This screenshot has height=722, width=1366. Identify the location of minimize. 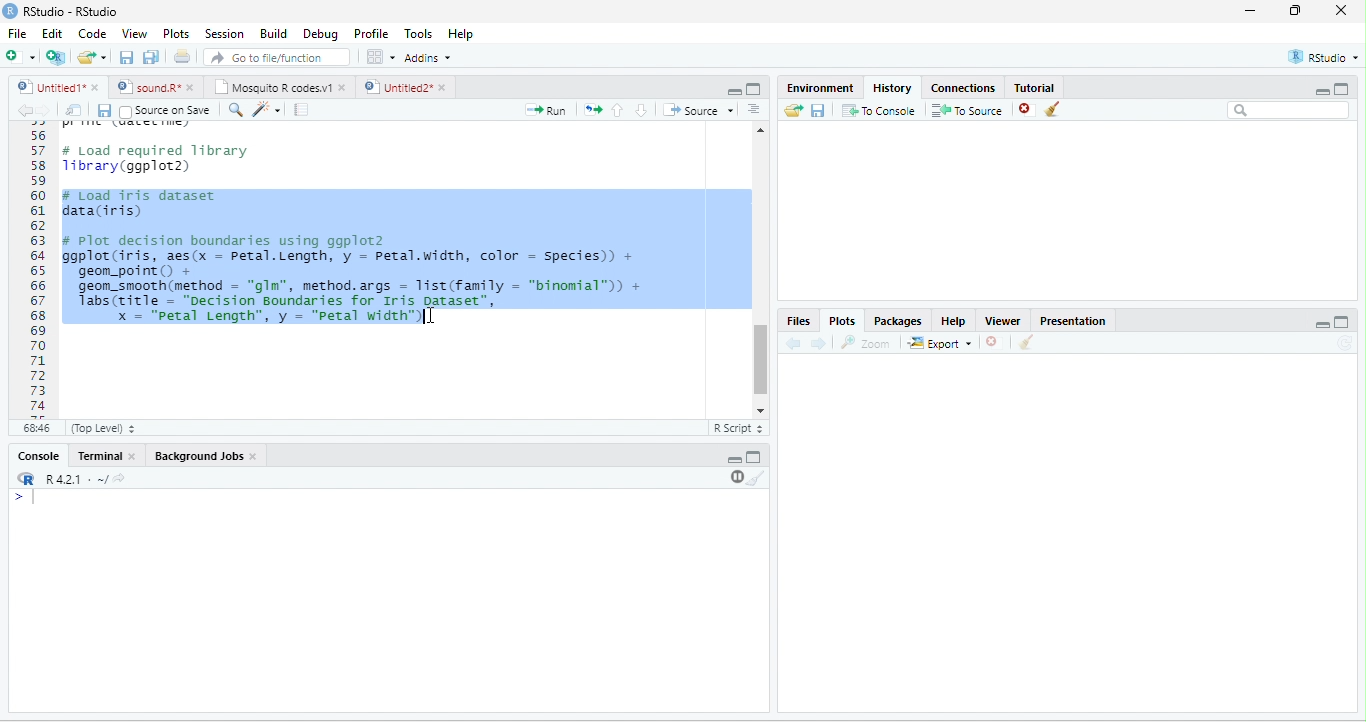
(734, 92).